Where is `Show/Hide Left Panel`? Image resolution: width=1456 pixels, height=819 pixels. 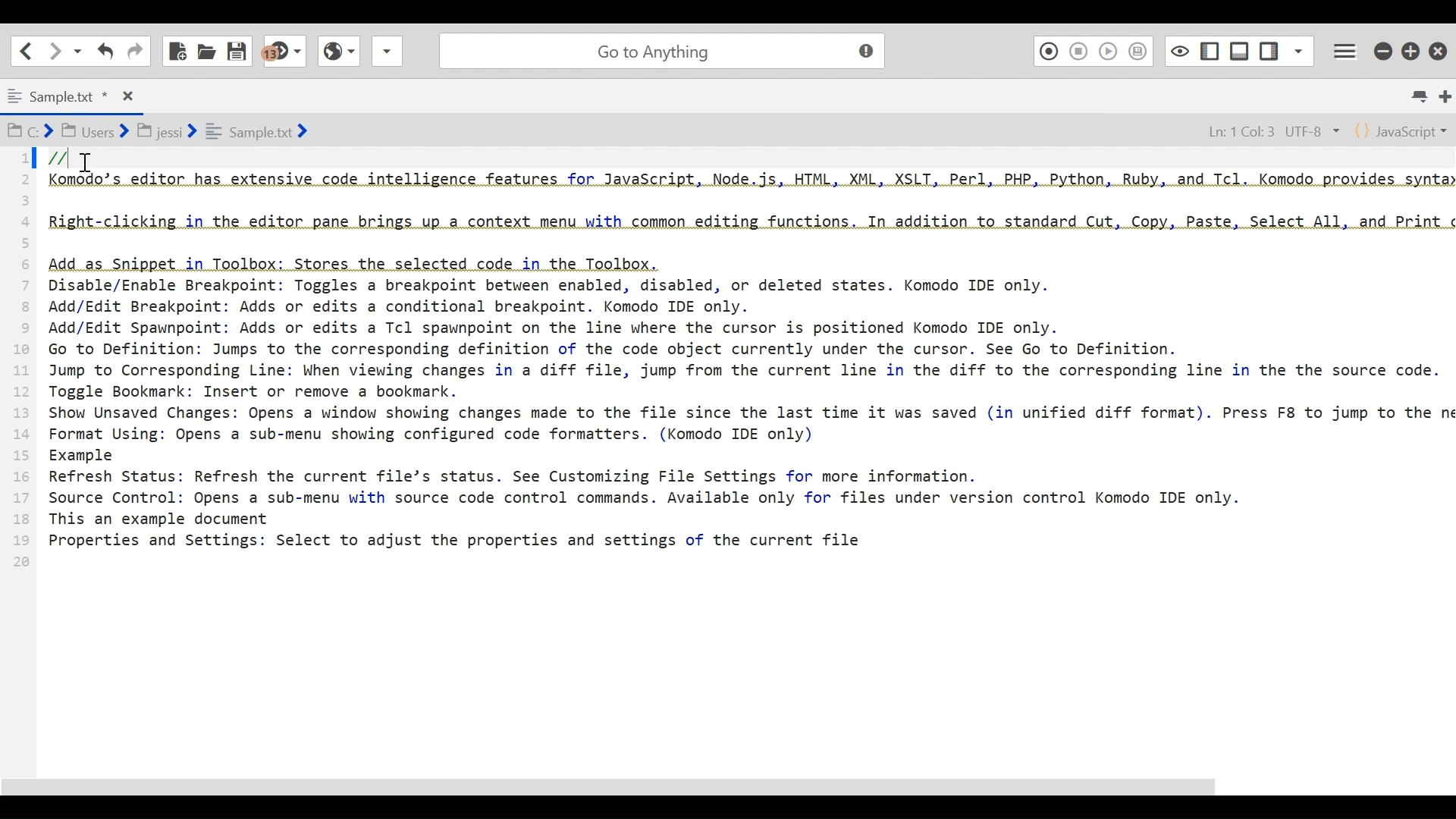
Show/Hide Left Panel is located at coordinates (1270, 48).